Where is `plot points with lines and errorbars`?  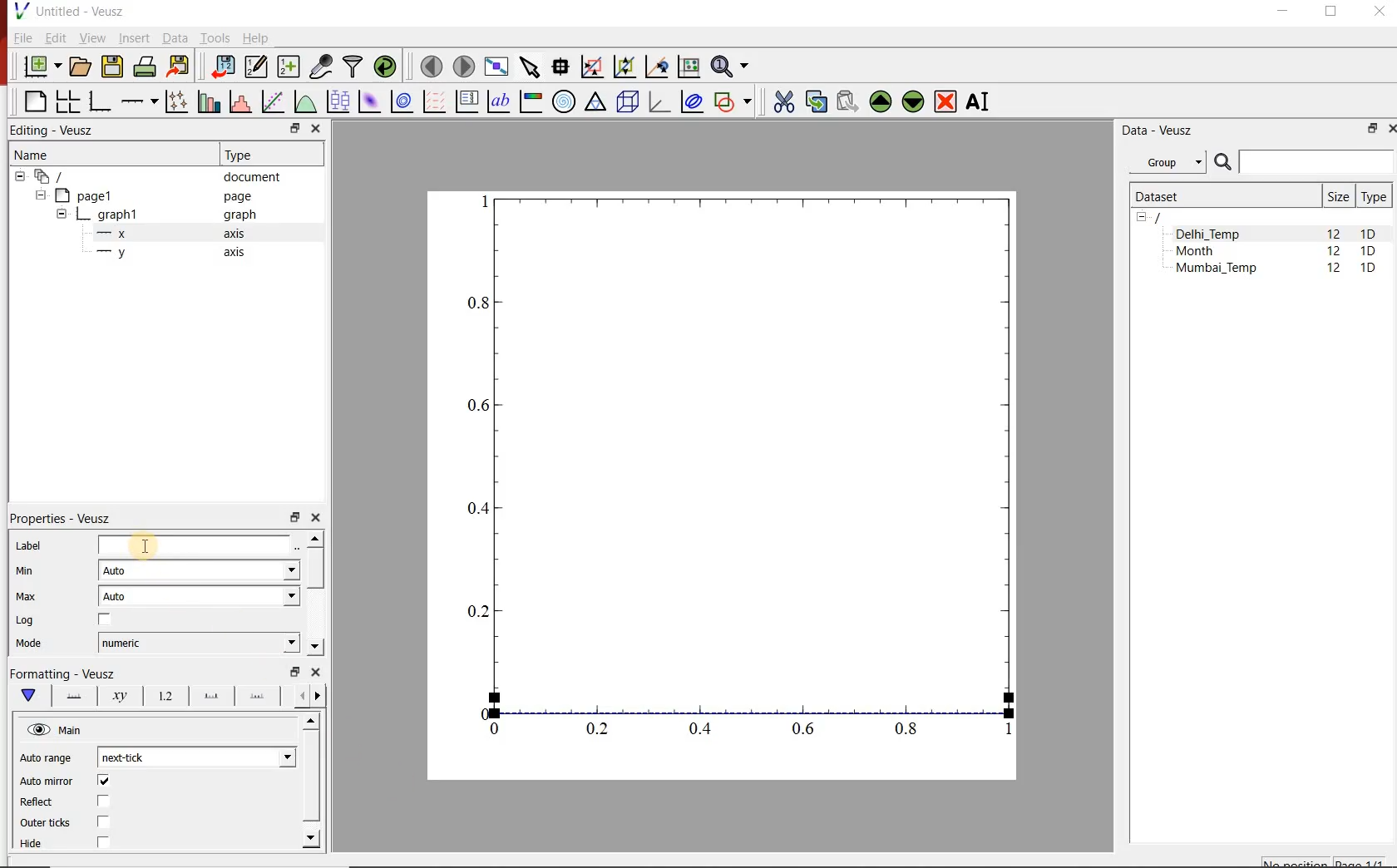 plot points with lines and errorbars is located at coordinates (175, 102).